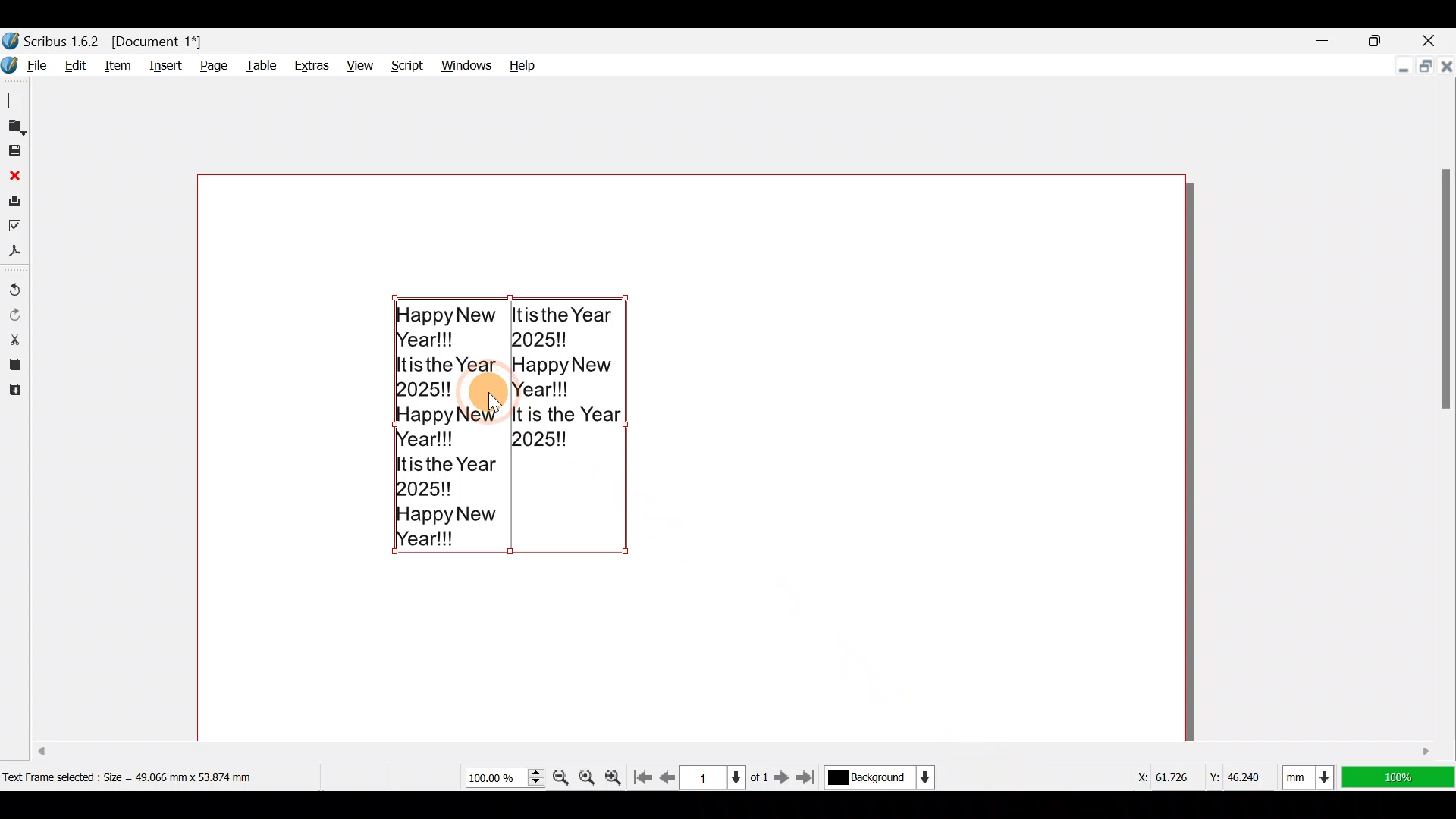 Image resolution: width=1456 pixels, height=819 pixels. I want to click on Select current layer, so click(878, 778).